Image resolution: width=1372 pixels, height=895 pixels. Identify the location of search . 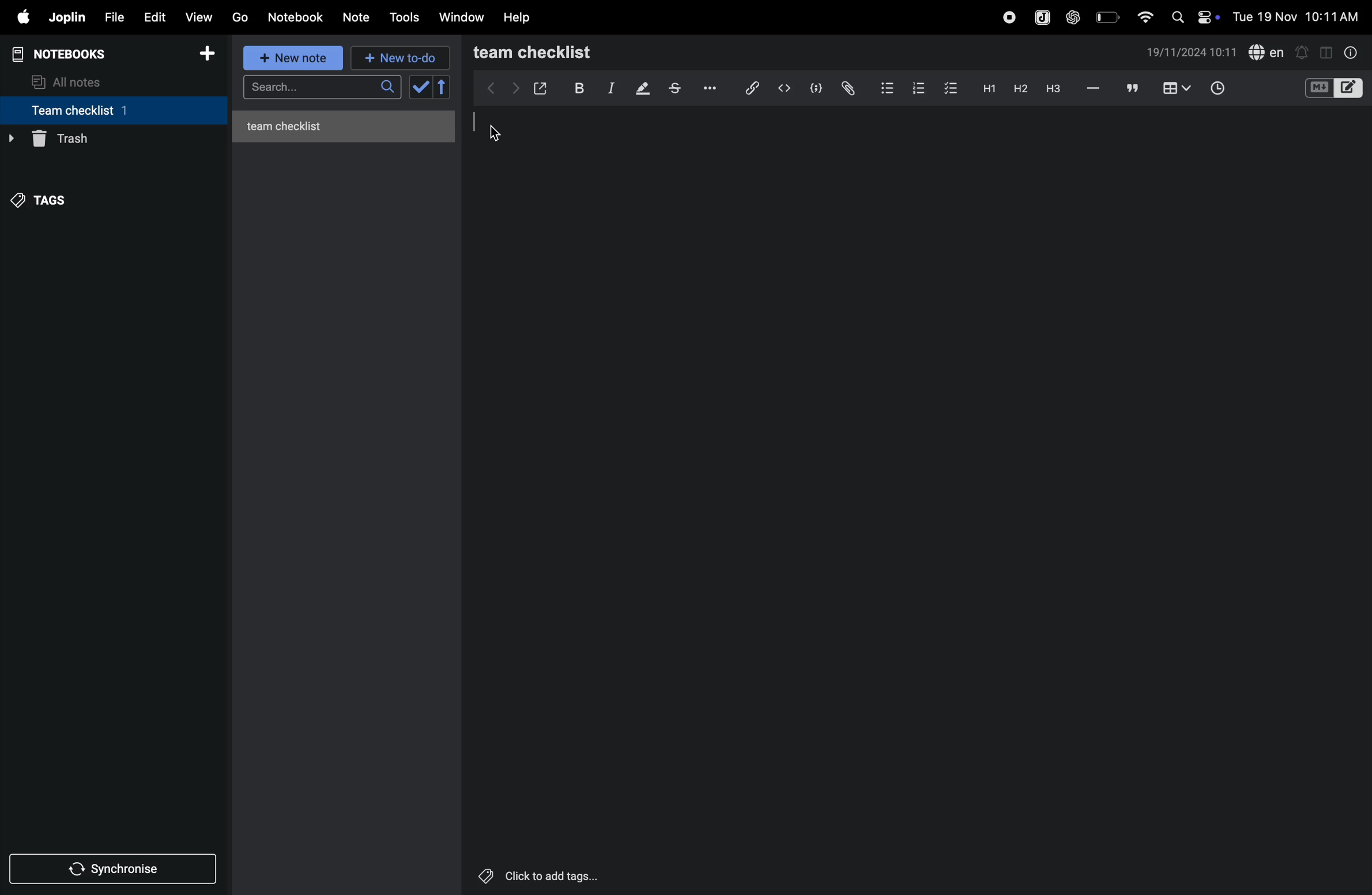
(320, 89).